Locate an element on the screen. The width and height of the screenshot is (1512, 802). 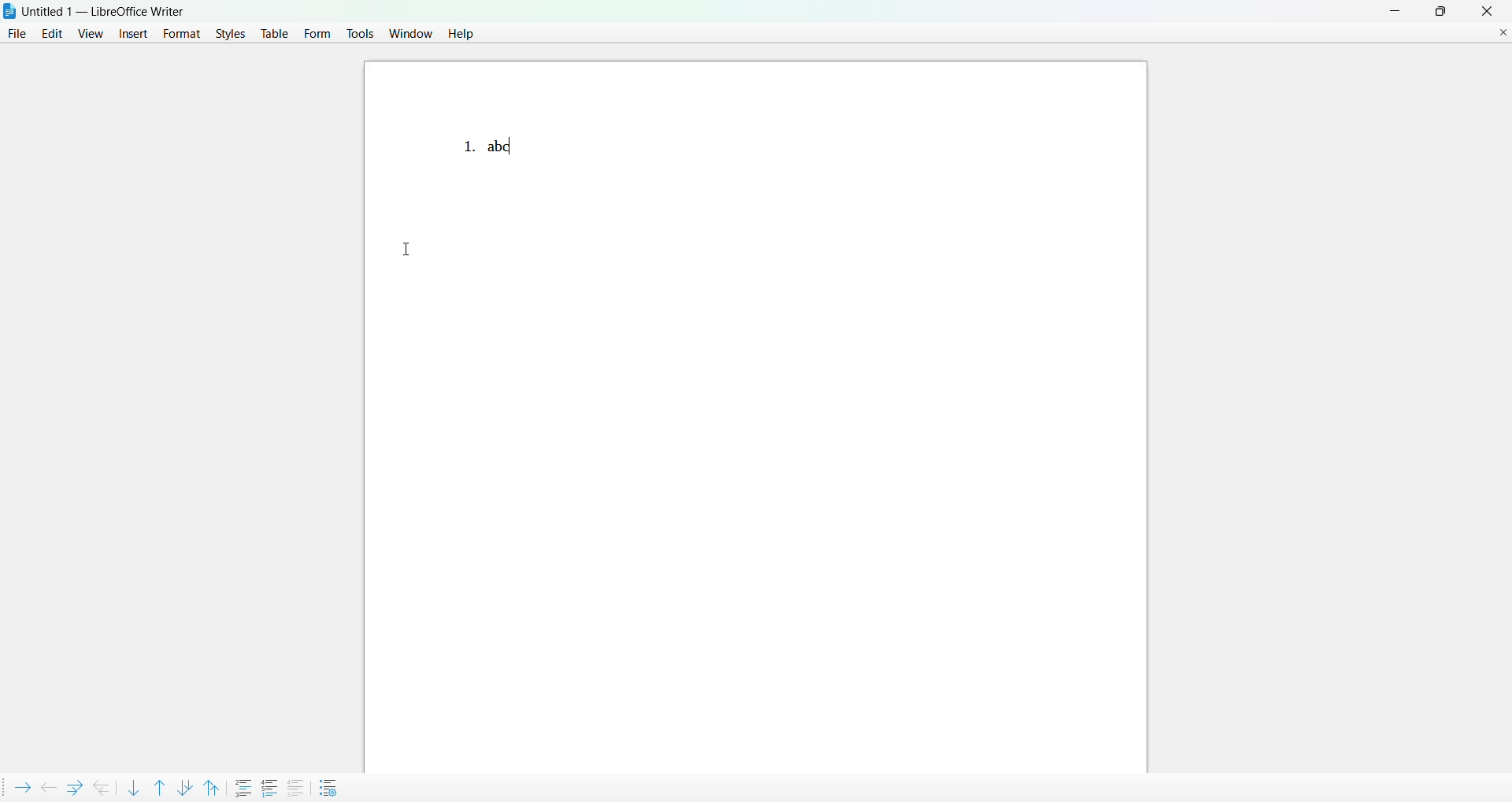
promote outline level is located at coordinates (46, 785).